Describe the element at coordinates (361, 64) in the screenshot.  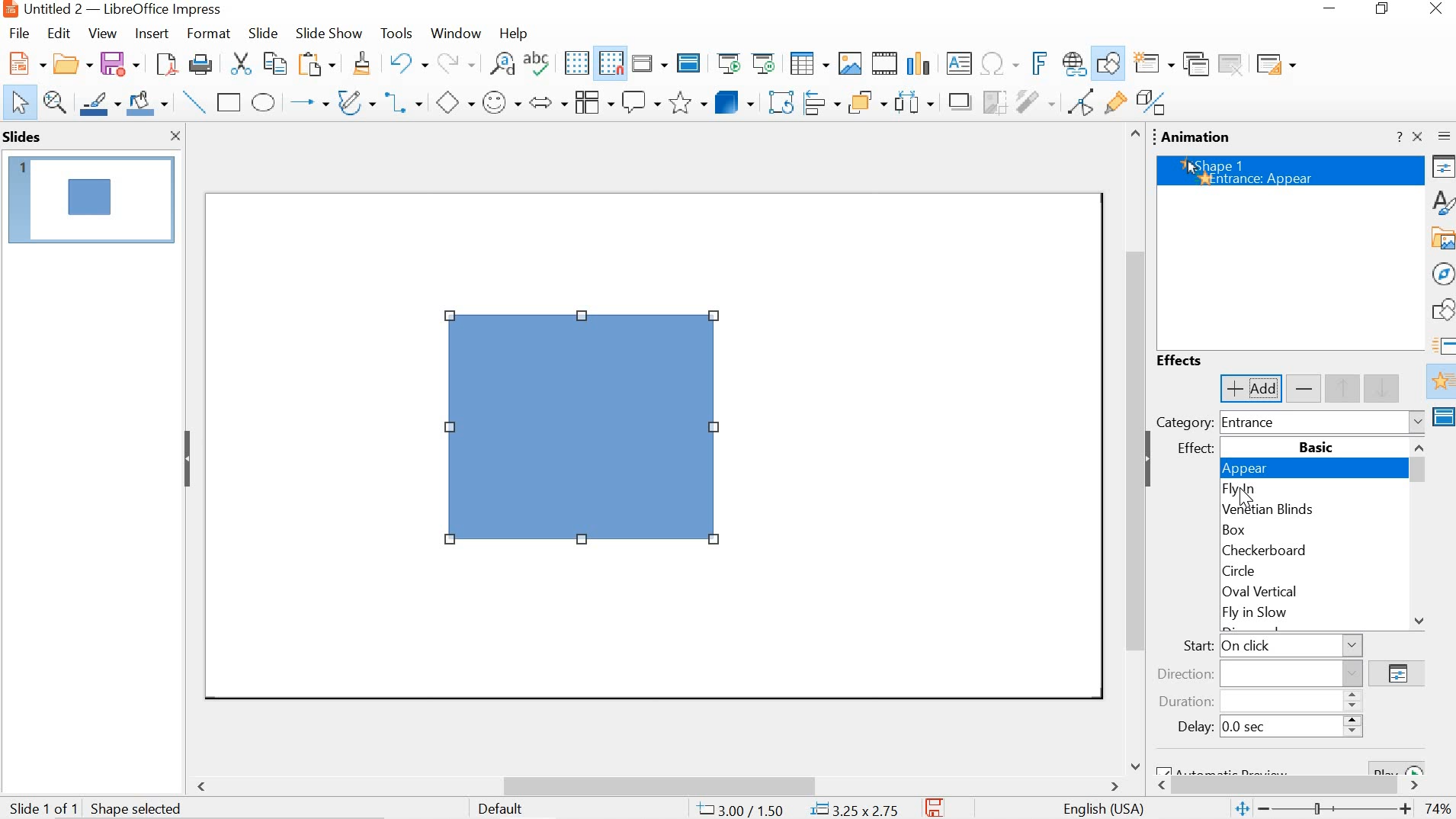
I see `clone formatting` at that location.